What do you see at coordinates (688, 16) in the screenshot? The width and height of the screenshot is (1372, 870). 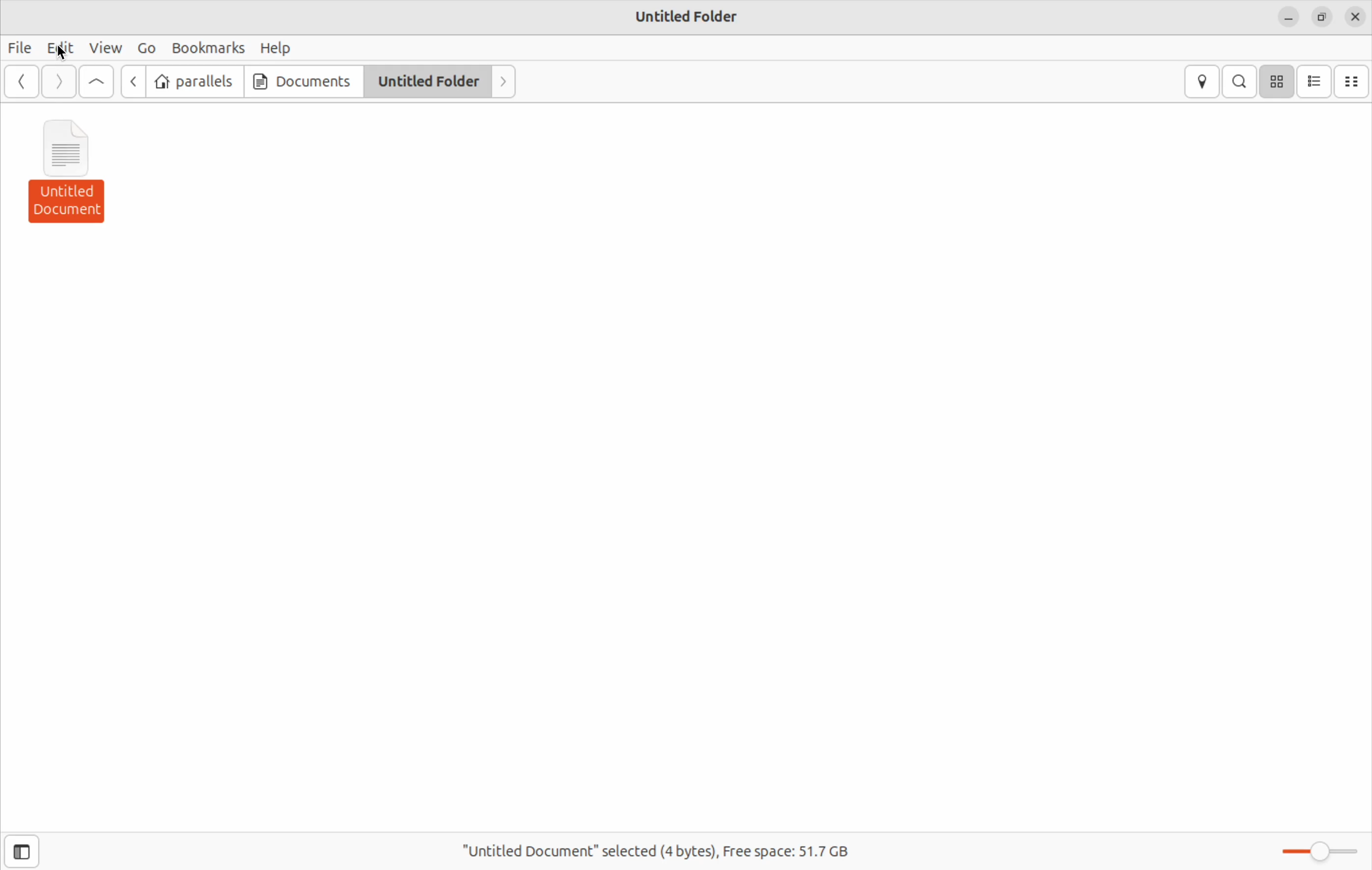 I see `Untitled Folder` at bounding box center [688, 16].